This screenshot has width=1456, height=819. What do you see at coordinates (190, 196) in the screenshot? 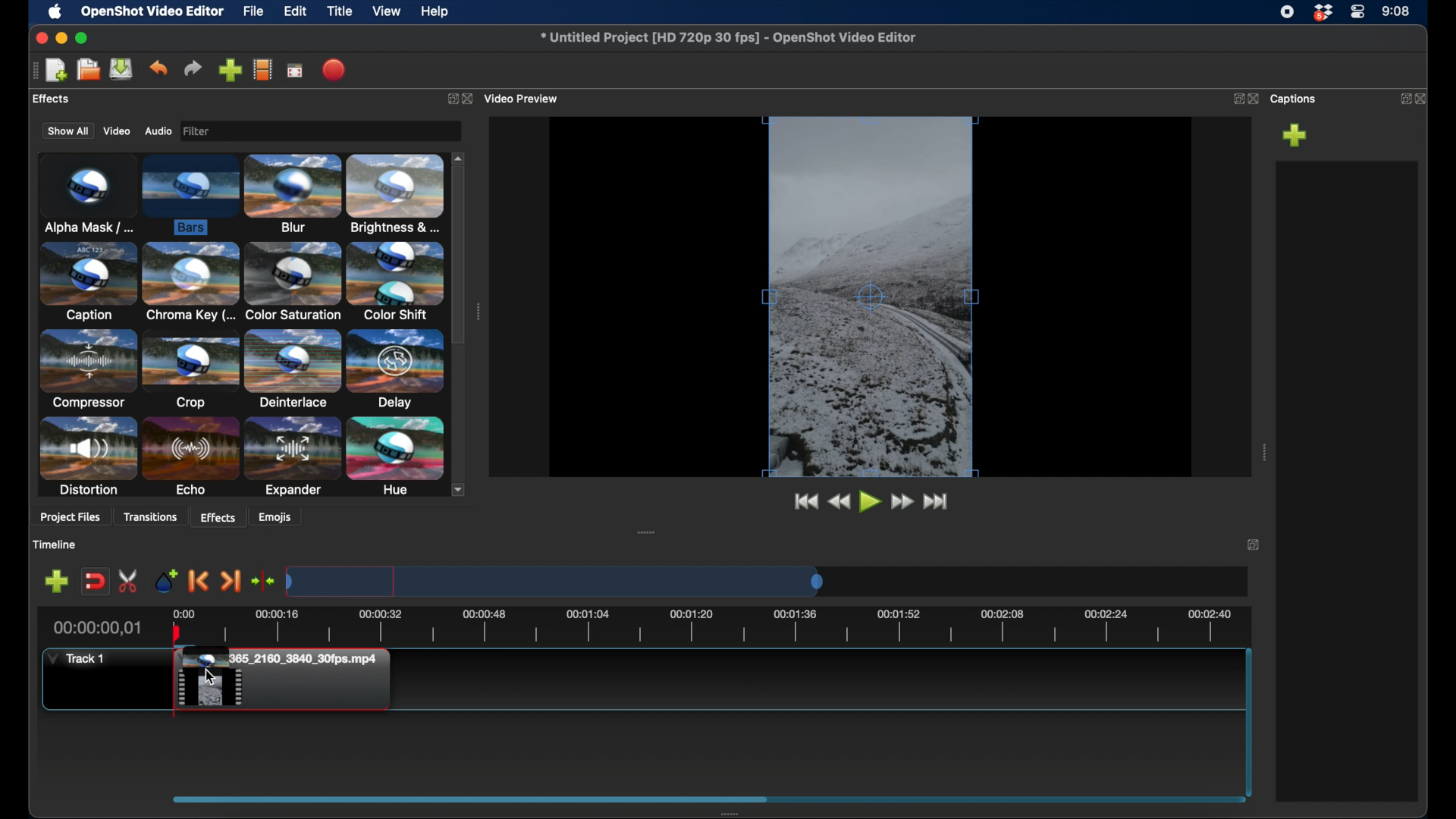
I see `bars` at bounding box center [190, 196].